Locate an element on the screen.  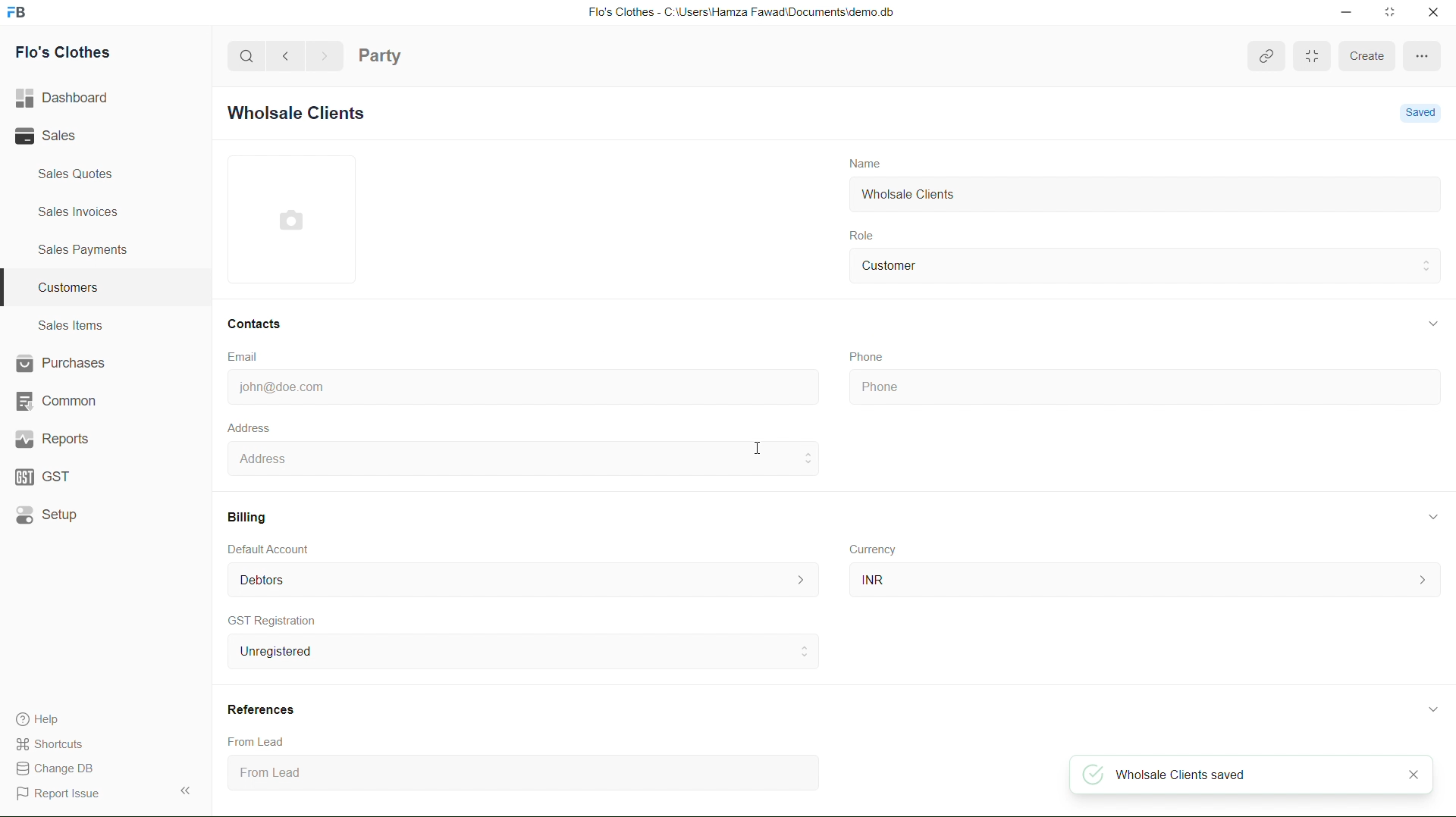
Wholsale Clients saved is located at coordinates (1197, 776).